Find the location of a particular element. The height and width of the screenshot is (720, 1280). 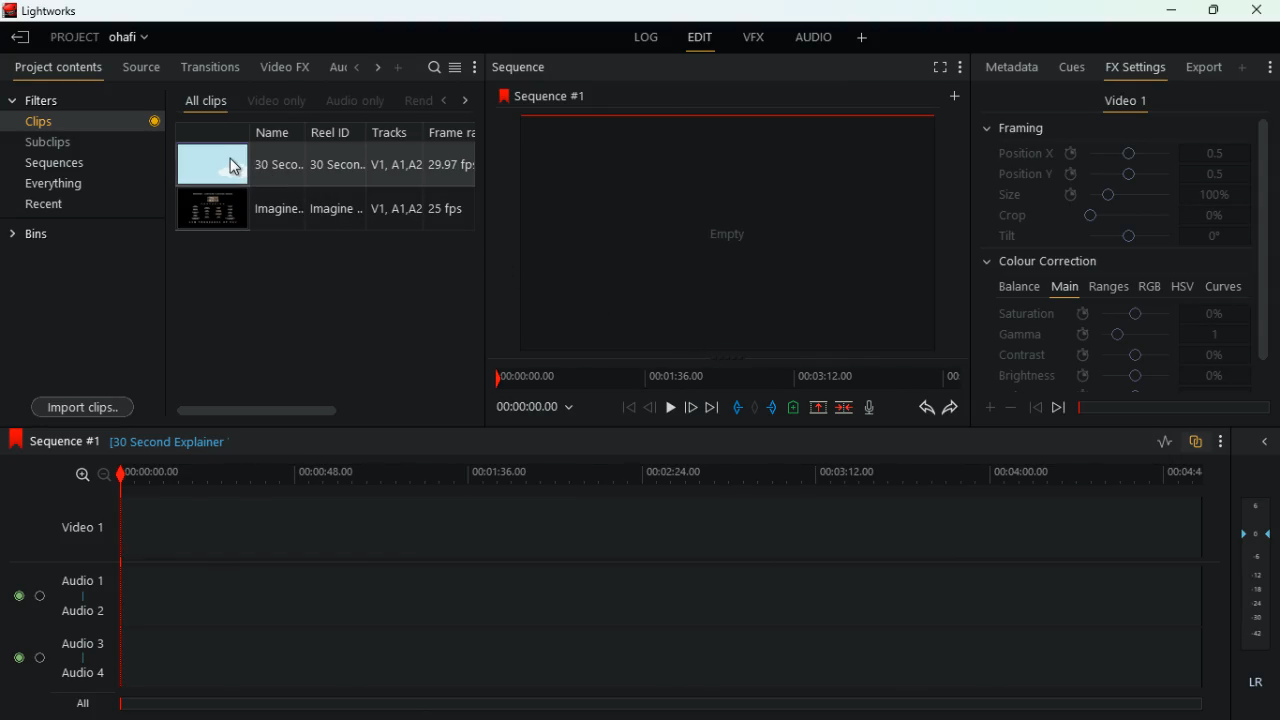

source is located at coordinates (143, 69).